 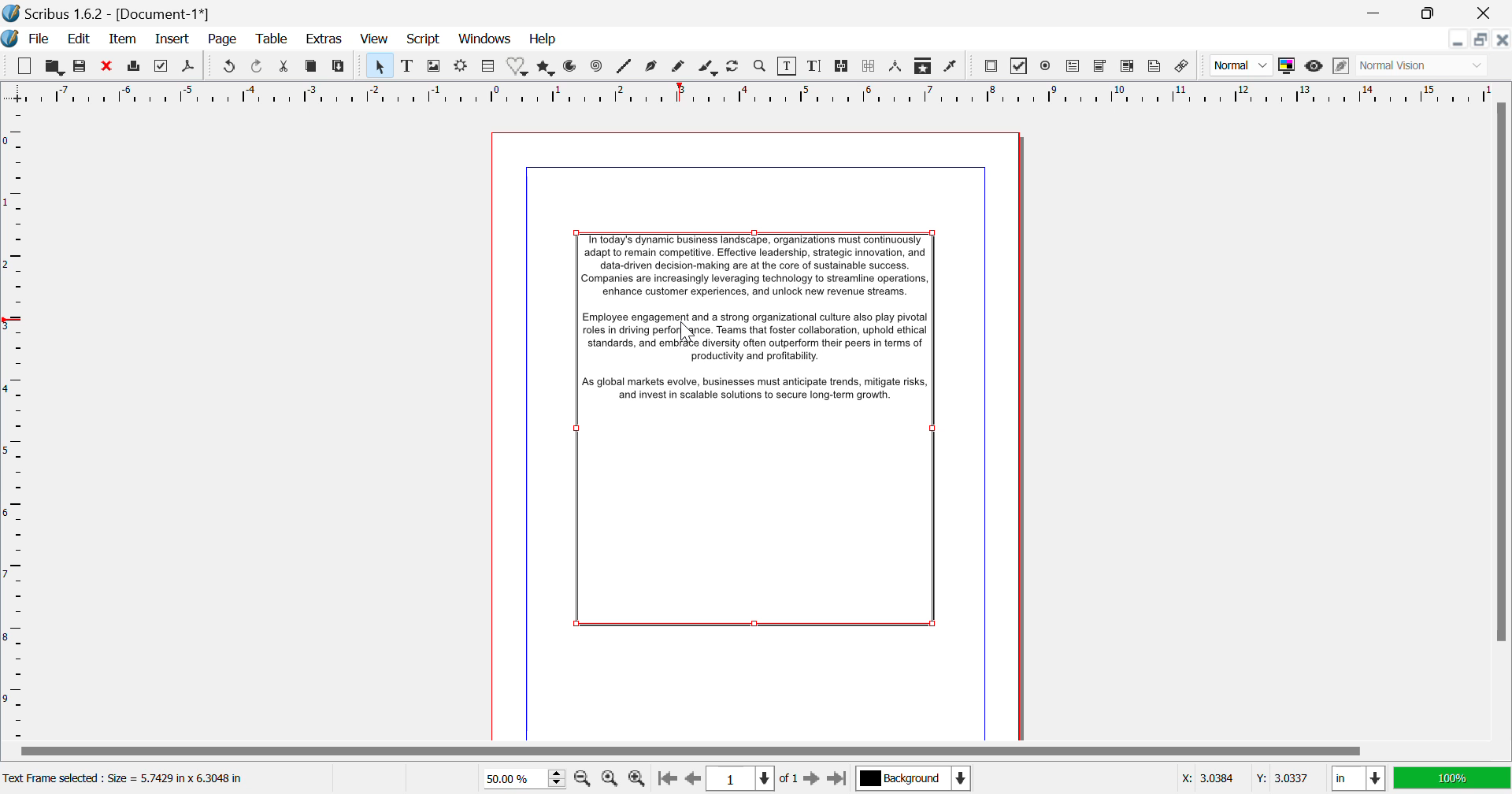 I want to click on View, so click(x=372, y=39).